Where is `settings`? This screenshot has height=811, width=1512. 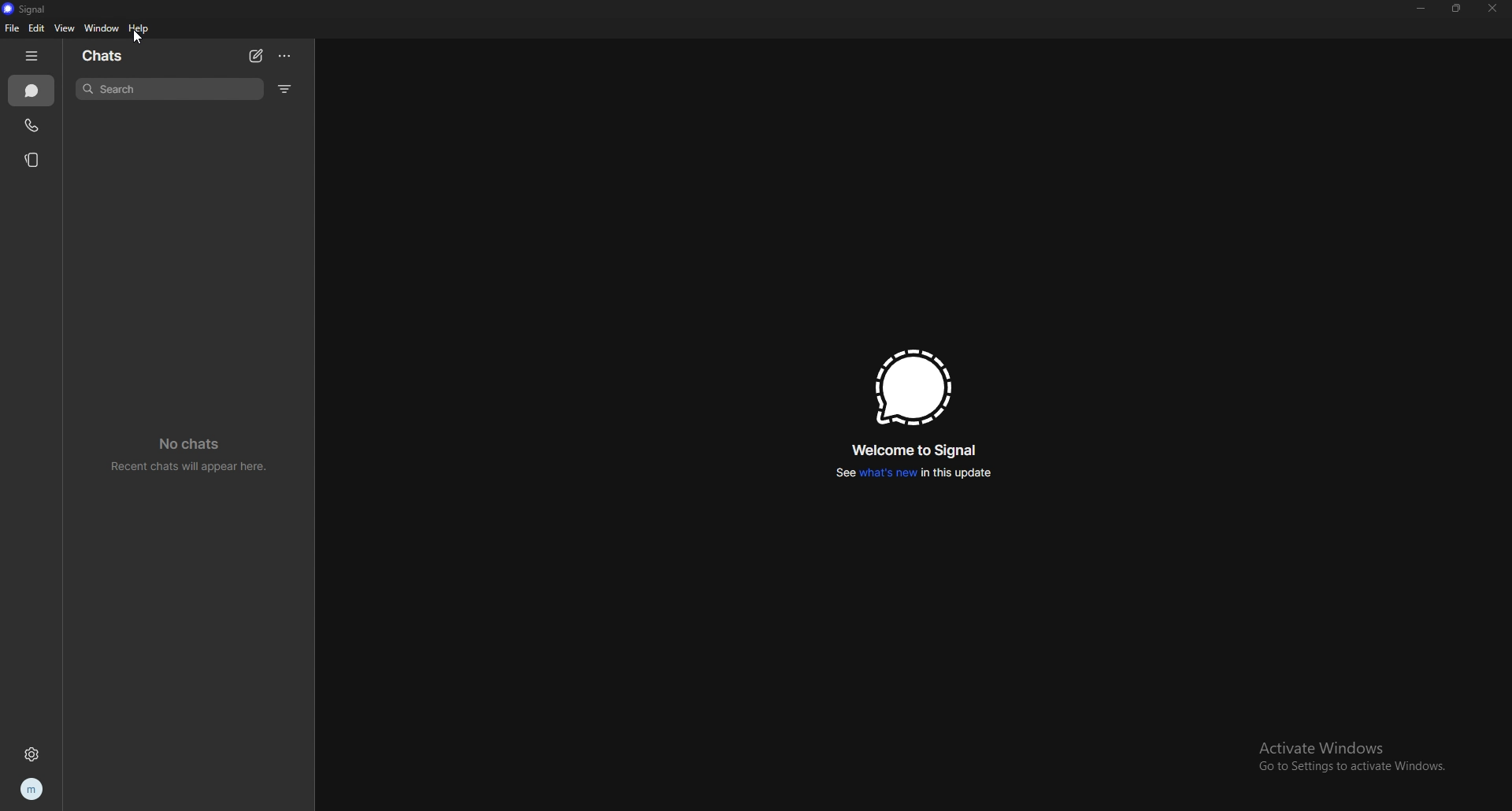 settings is located at coordinates (34, 754).